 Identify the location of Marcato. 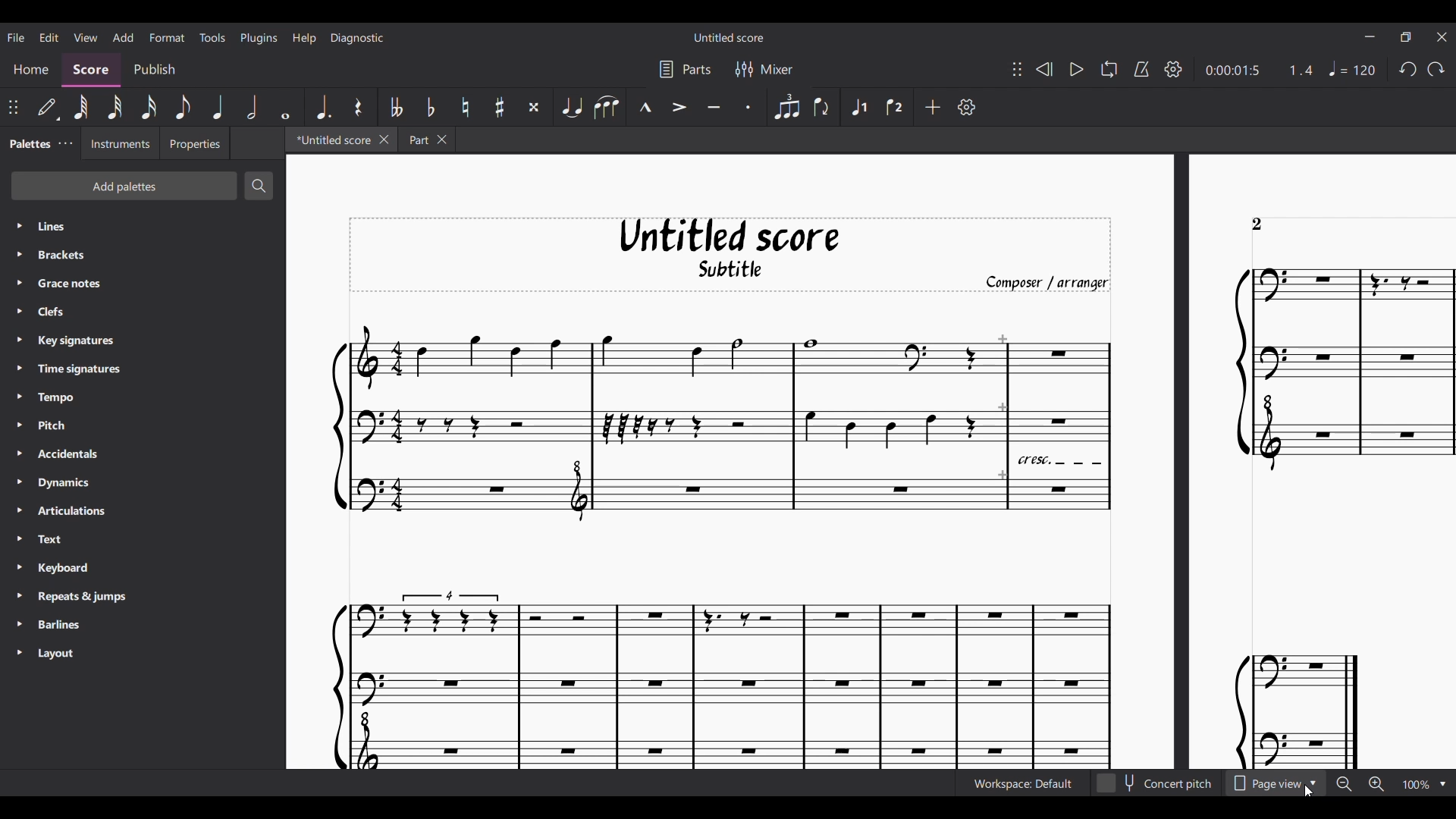
(645, 107).